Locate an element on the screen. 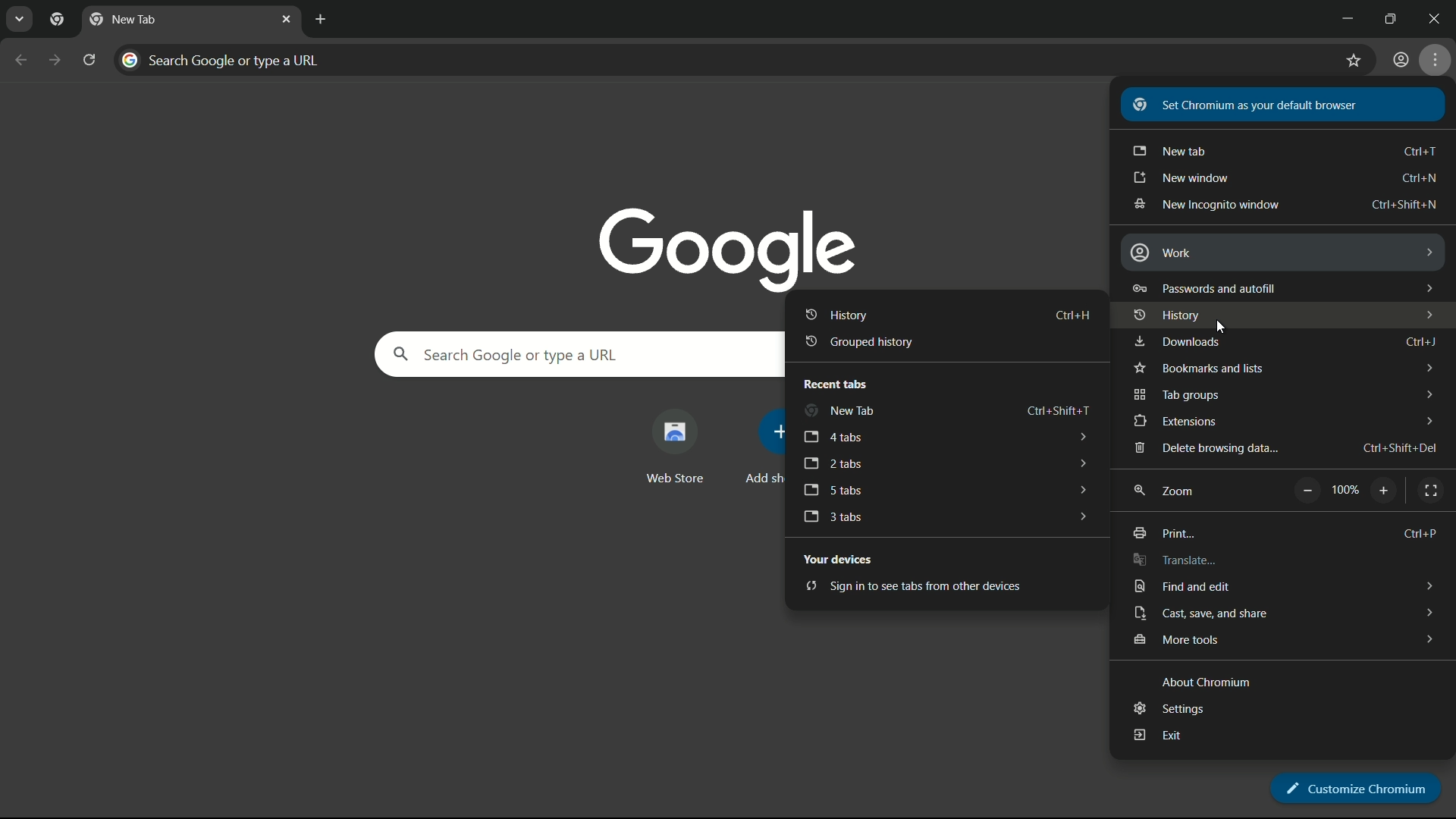 This screenshot has height=819, width=1456. zoom is located at coordinates (1163, 491).